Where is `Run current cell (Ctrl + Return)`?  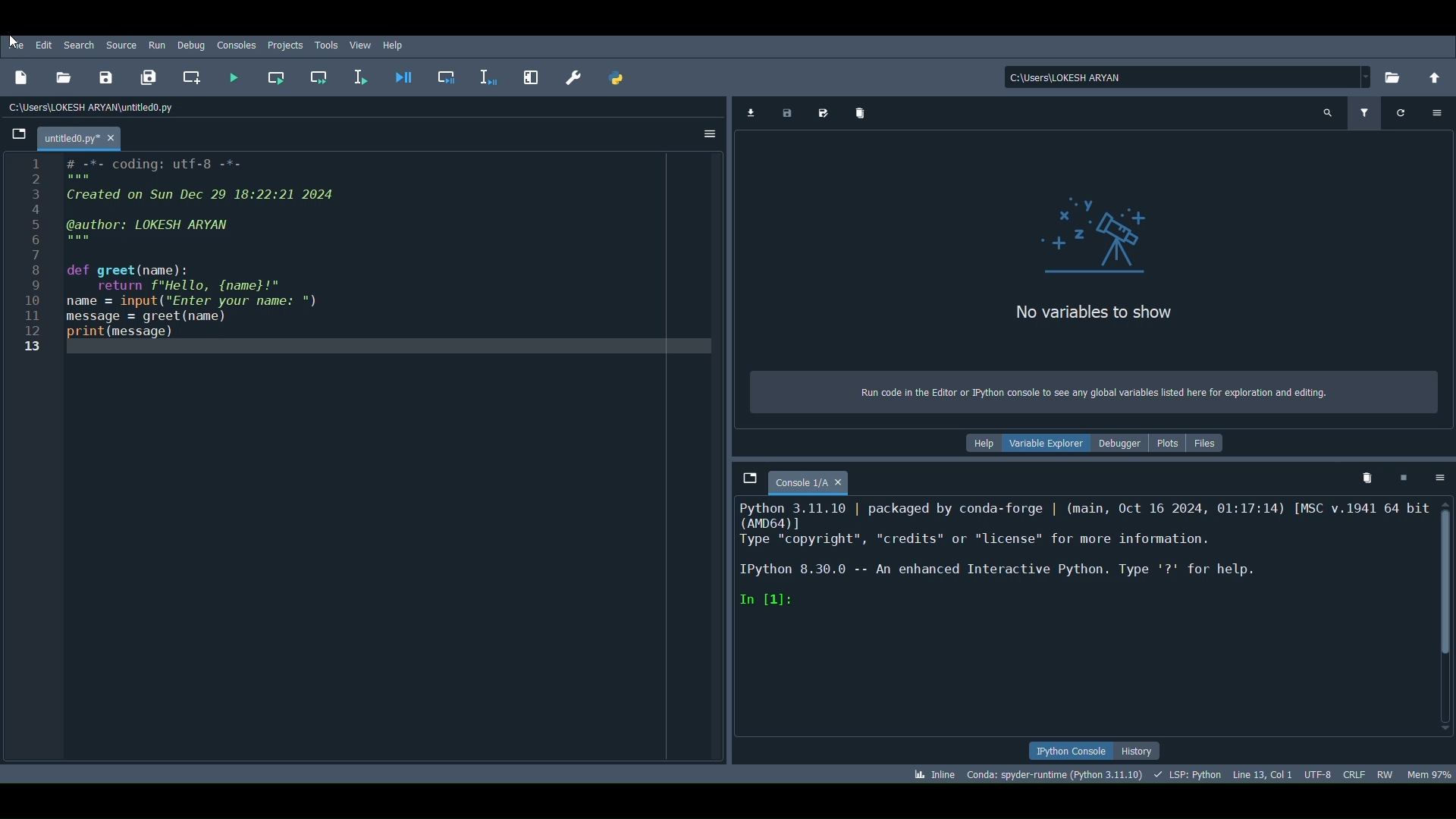 Run current cell (Ctrl + Return) is located at coordinates (275, 79).